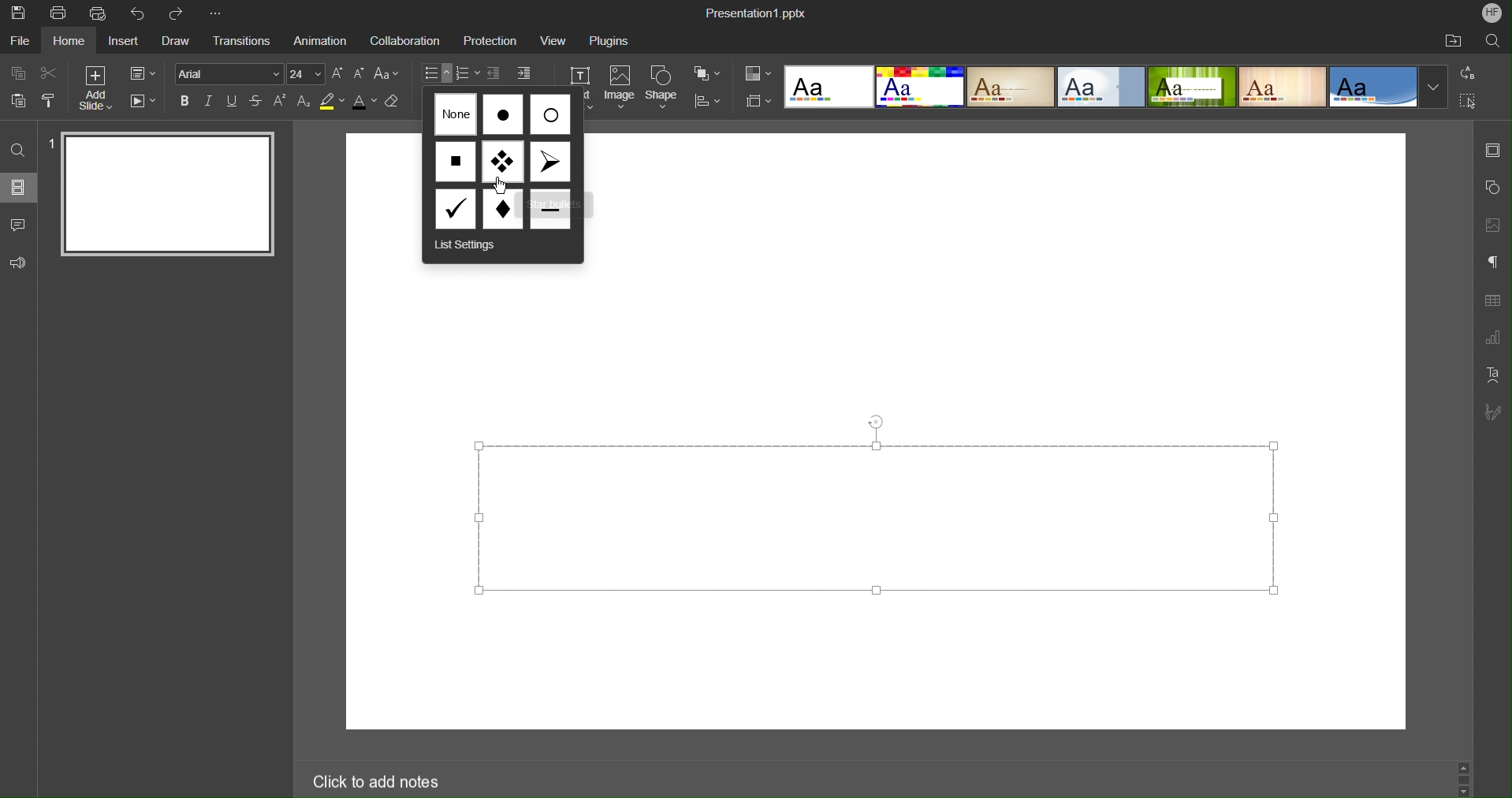 The height and width of the screenshot is (798, 1512). Describe the element at coordinates (709, 101) in the screenshot. I see `Distribute` at that location.